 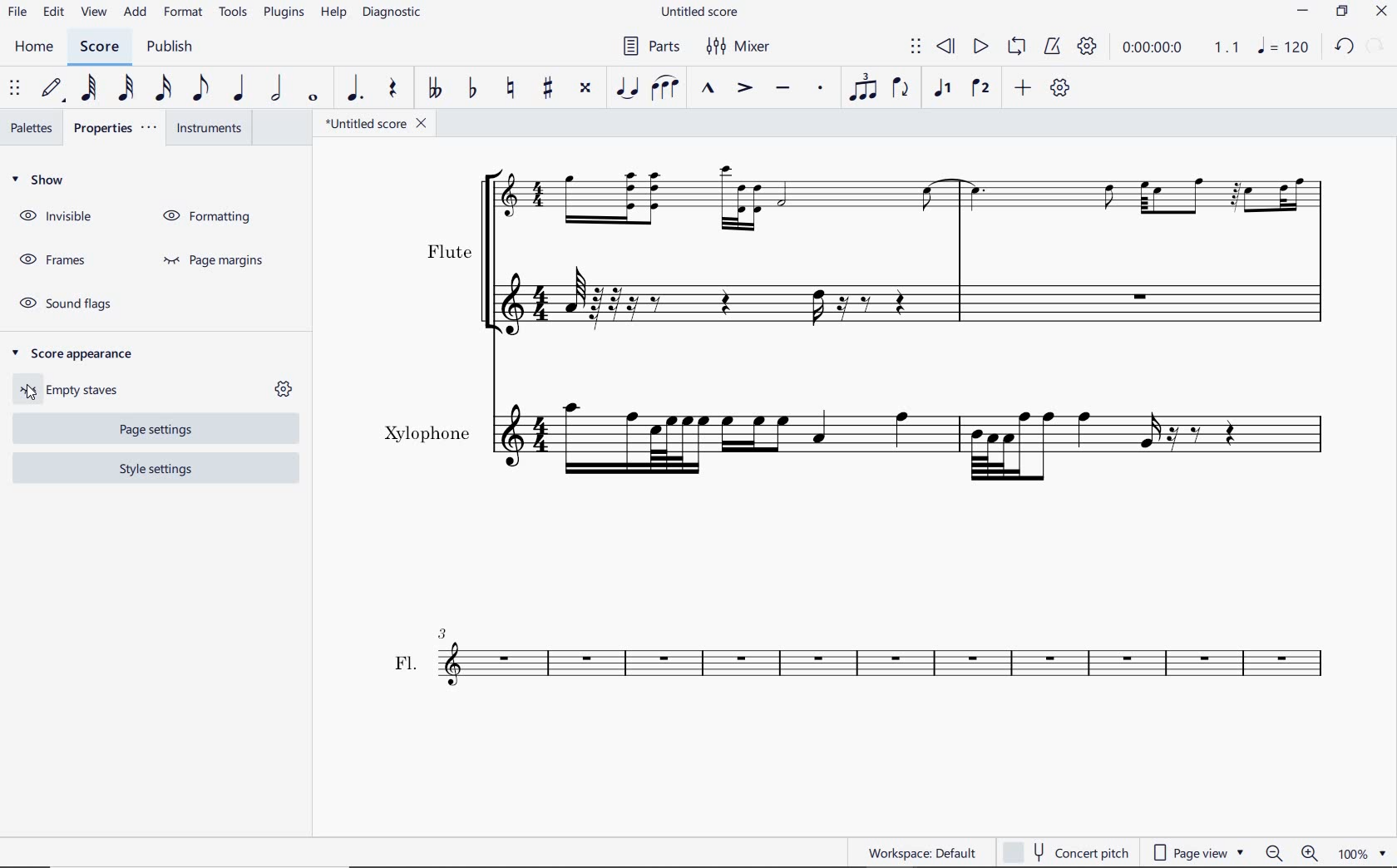 I want to click on TOGGLE SHARP, so click(x=545, y=89).